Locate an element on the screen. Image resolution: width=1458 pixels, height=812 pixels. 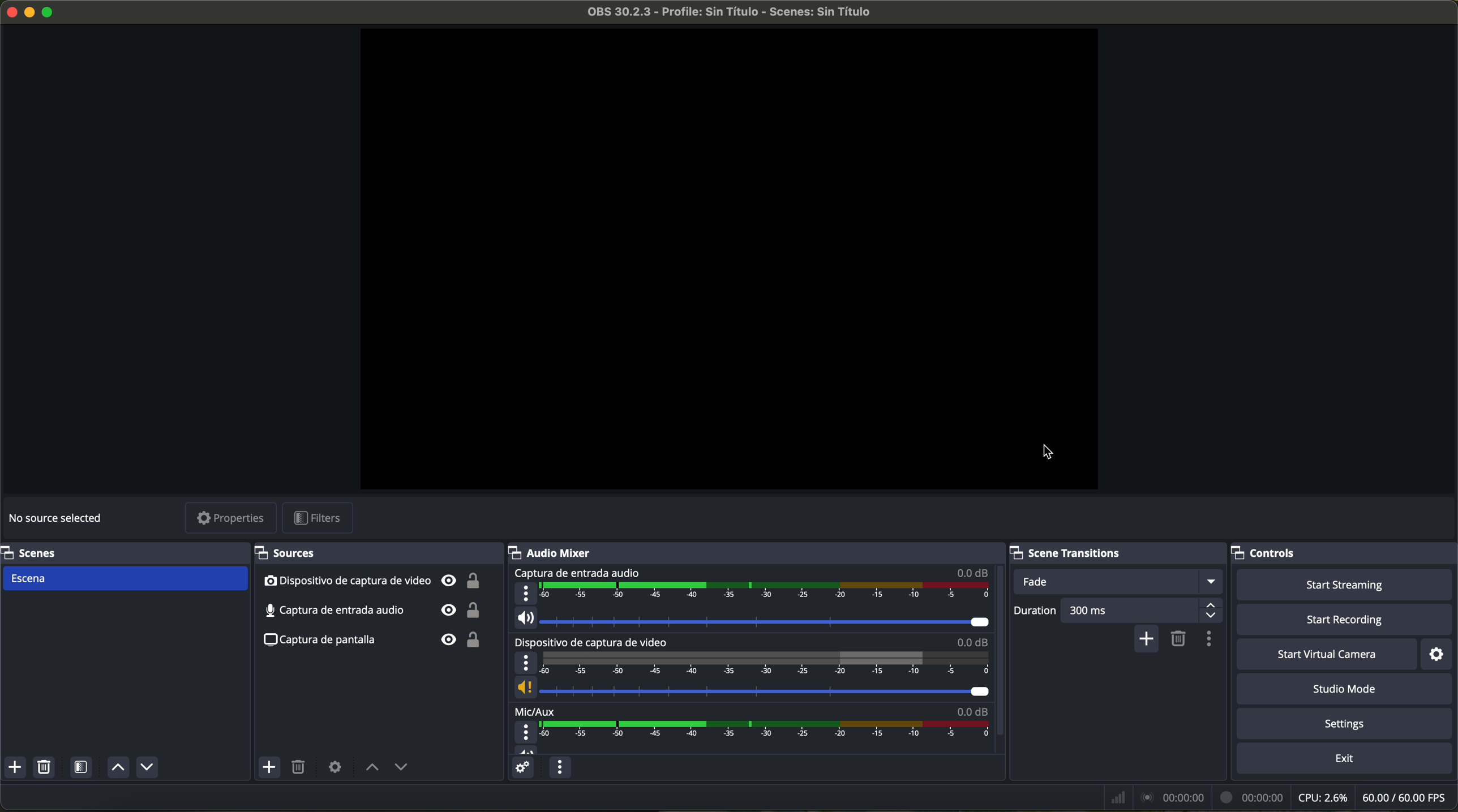
audio input capture is located at coordinates (375, 609).